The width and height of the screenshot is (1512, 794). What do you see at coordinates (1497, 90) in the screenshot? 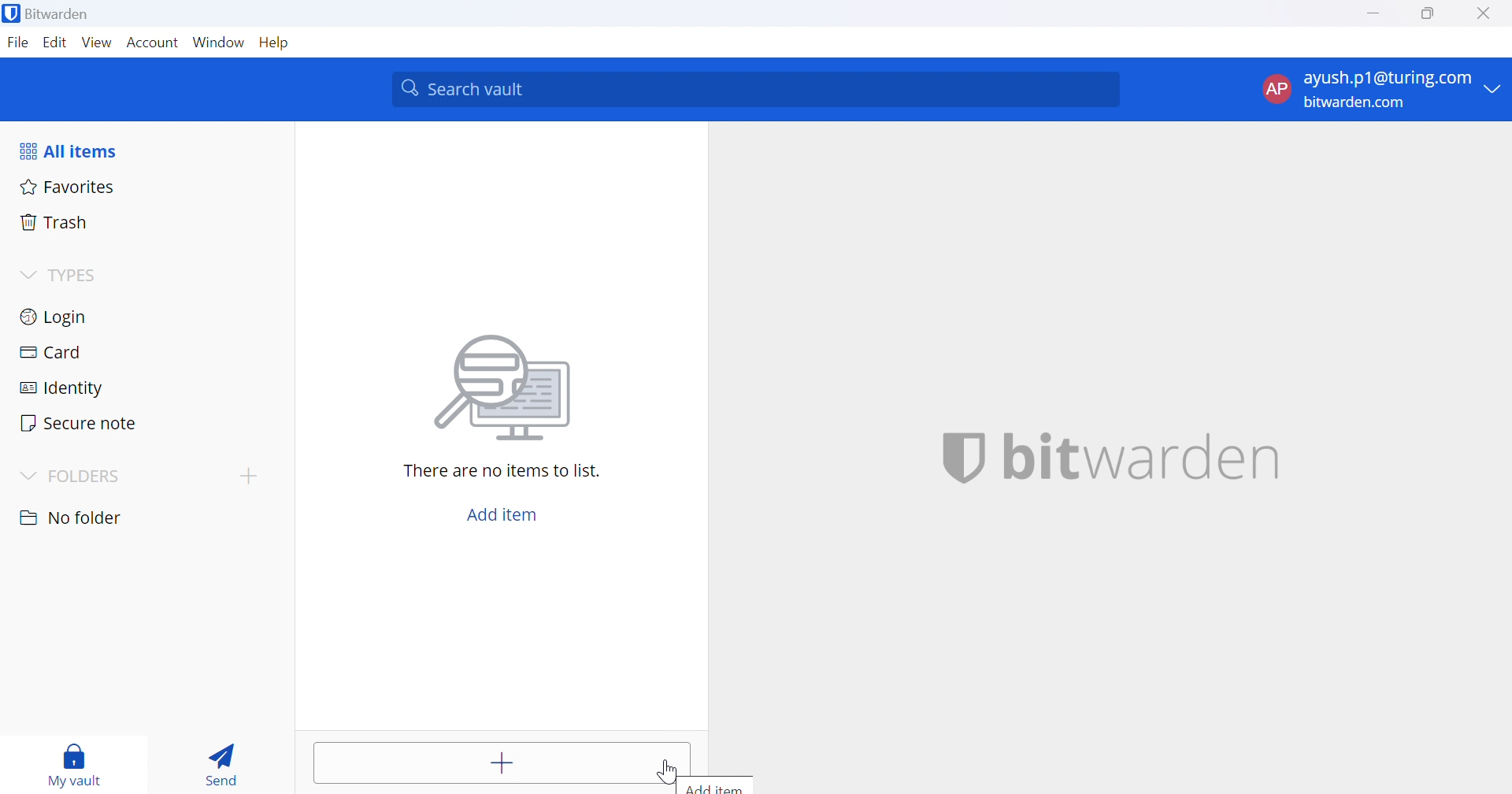
I see `Drop Down` at bounding box center [1497, 90].